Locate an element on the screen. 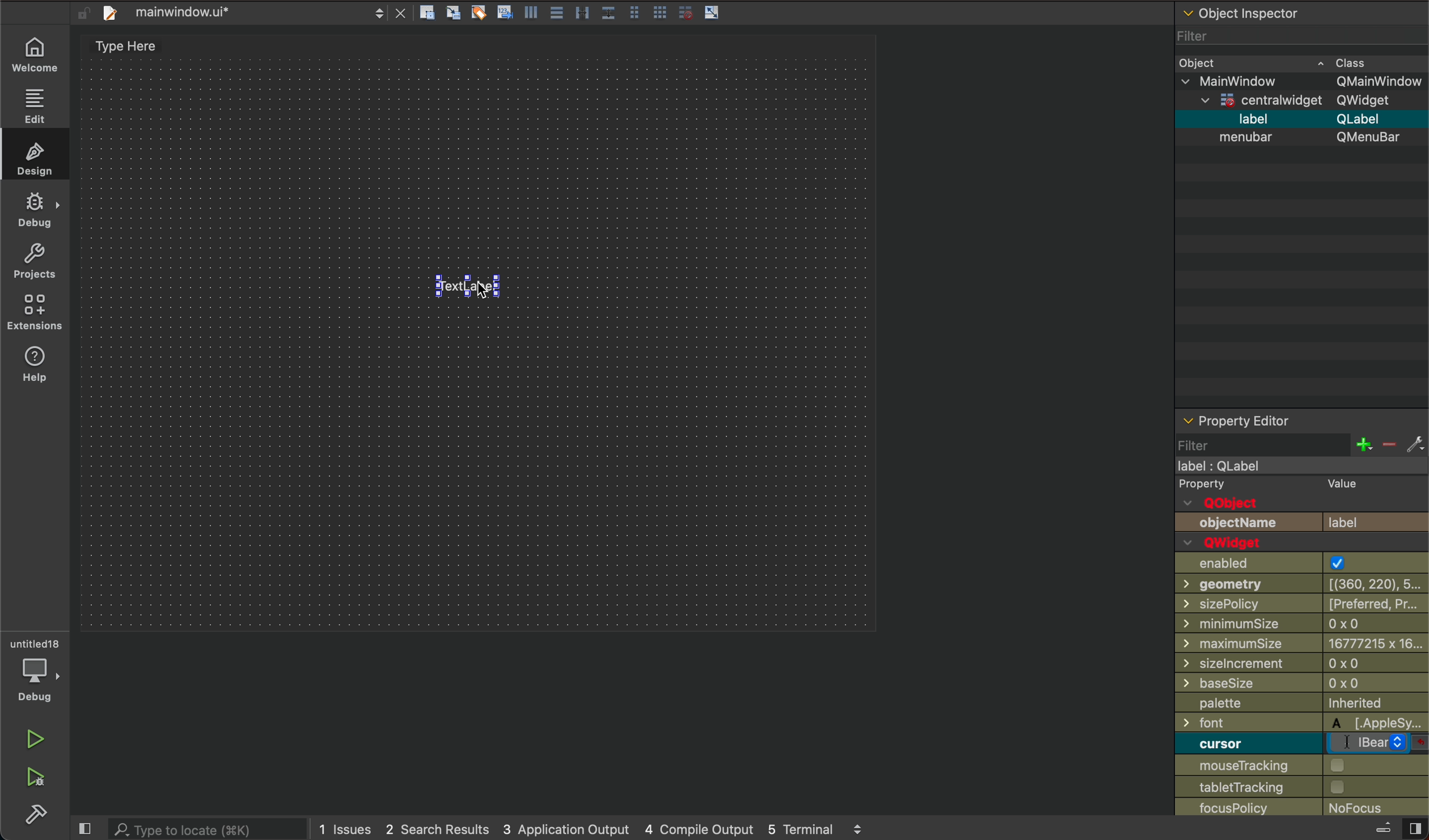 This screenshot has width=1429, height=840. check box is located at coordinates (1342, 563).